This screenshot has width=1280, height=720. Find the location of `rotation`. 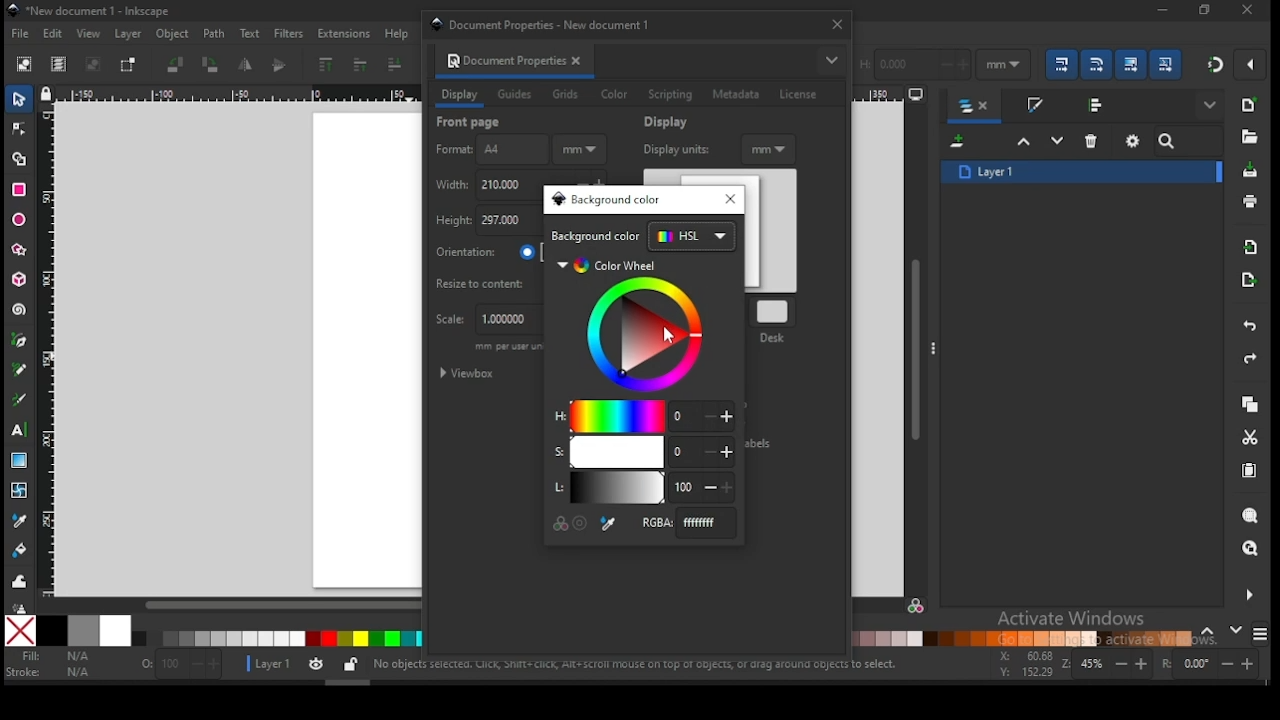

rotation is located at coordinates (1214, 664).